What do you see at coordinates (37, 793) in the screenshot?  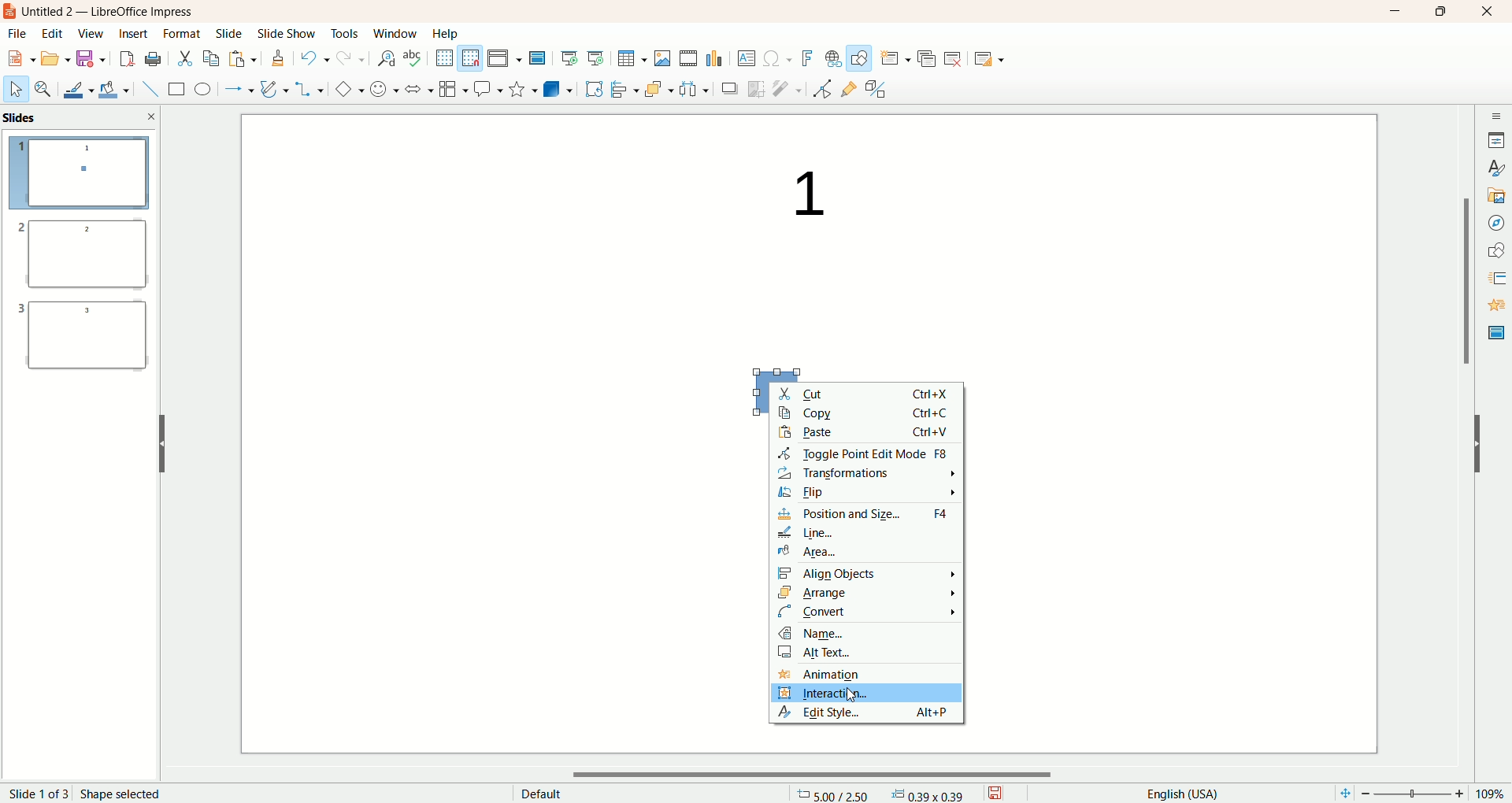 I see `page number` at bounding box center [37, 793].